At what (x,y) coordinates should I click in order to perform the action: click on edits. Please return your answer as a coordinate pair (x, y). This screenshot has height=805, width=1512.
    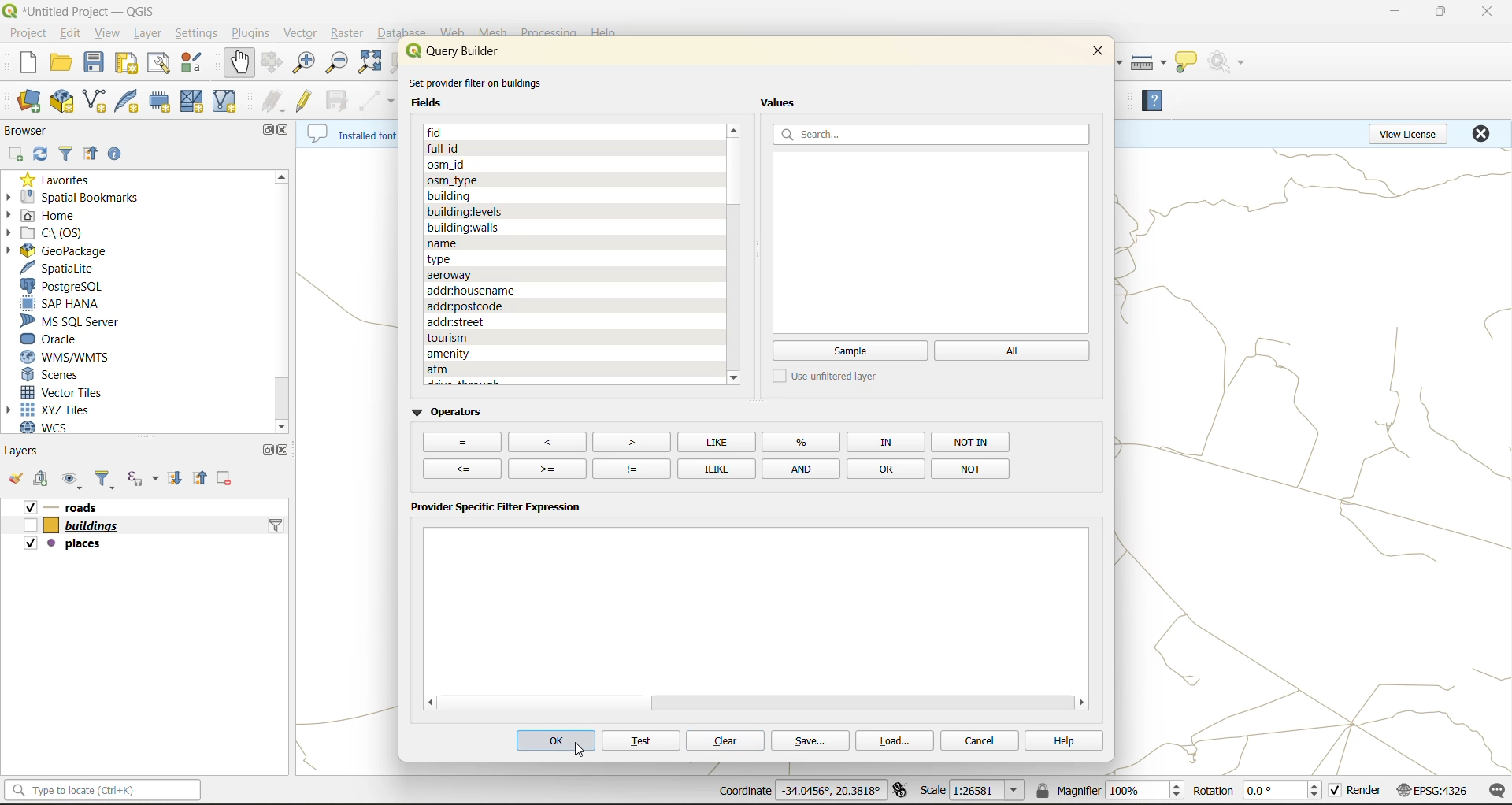
    Looking at the image, I should click on (274, 101).